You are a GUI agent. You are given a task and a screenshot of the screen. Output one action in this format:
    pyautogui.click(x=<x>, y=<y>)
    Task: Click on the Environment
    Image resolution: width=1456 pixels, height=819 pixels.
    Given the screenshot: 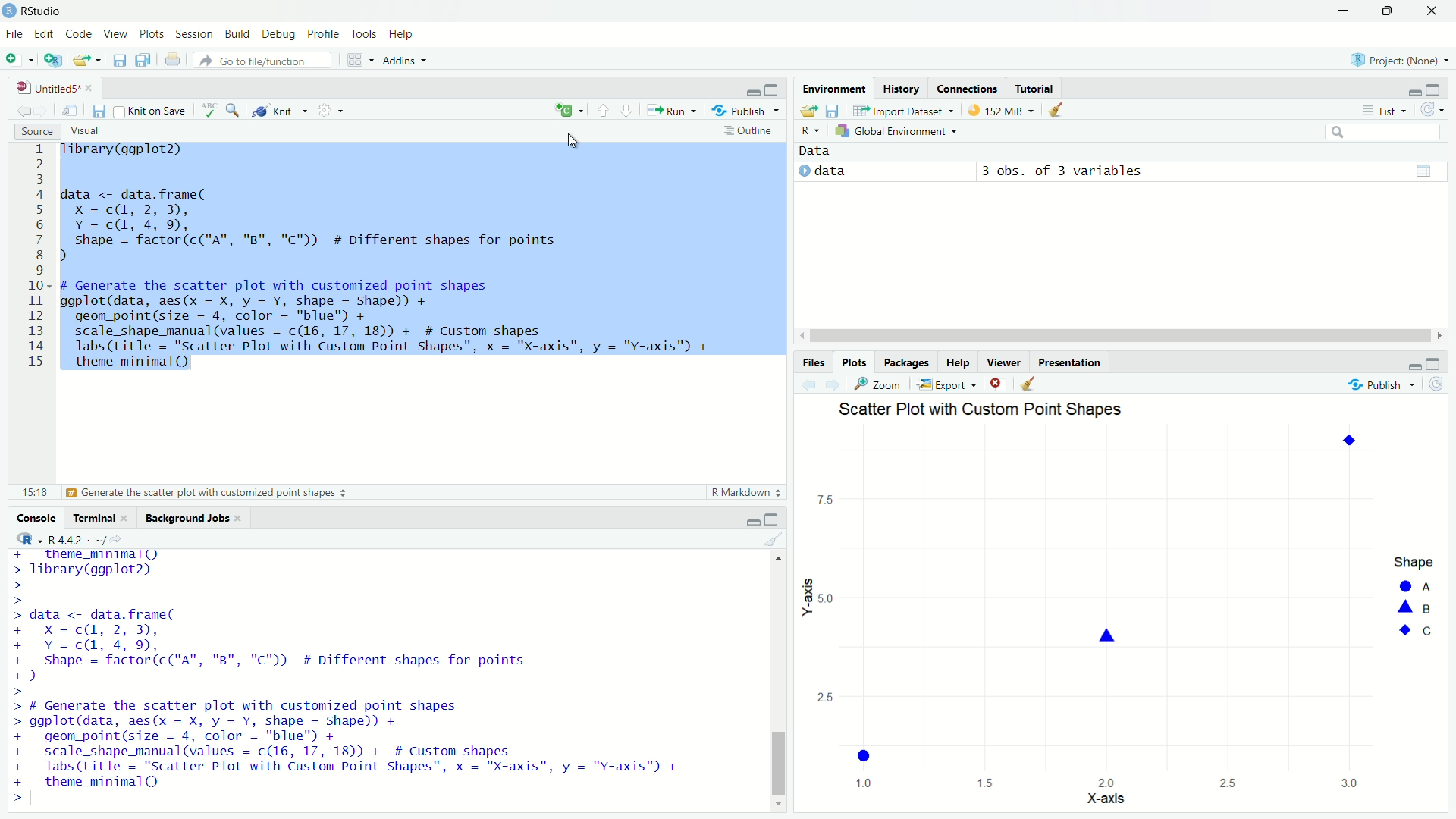 What is the action you would take?
    pyautogui.click(x=834, y=89)
    